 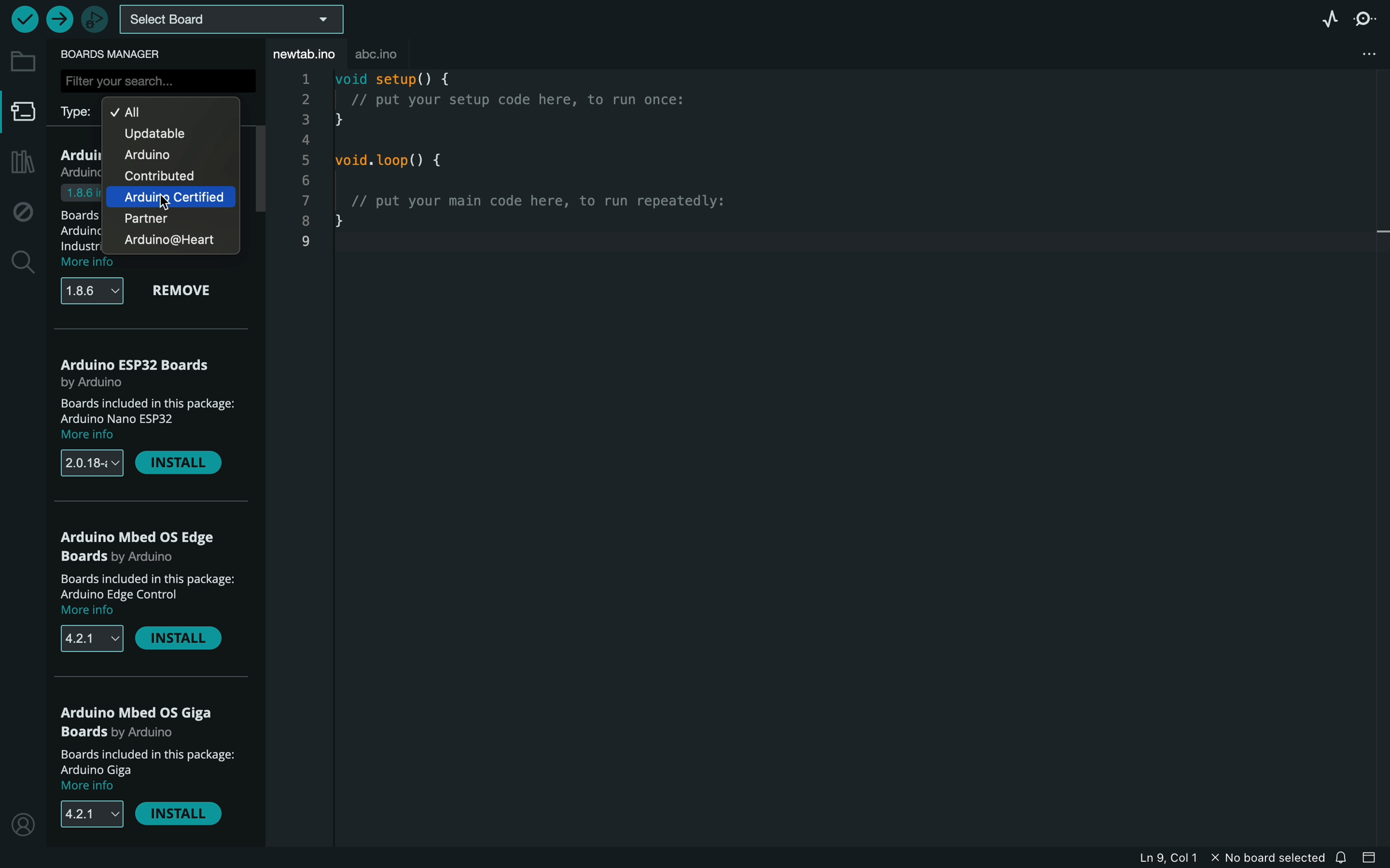 What do you see at coordinates (138, 370) in the screenshot?
I see `ESP32 Boards` at bounding box center [138, 370].